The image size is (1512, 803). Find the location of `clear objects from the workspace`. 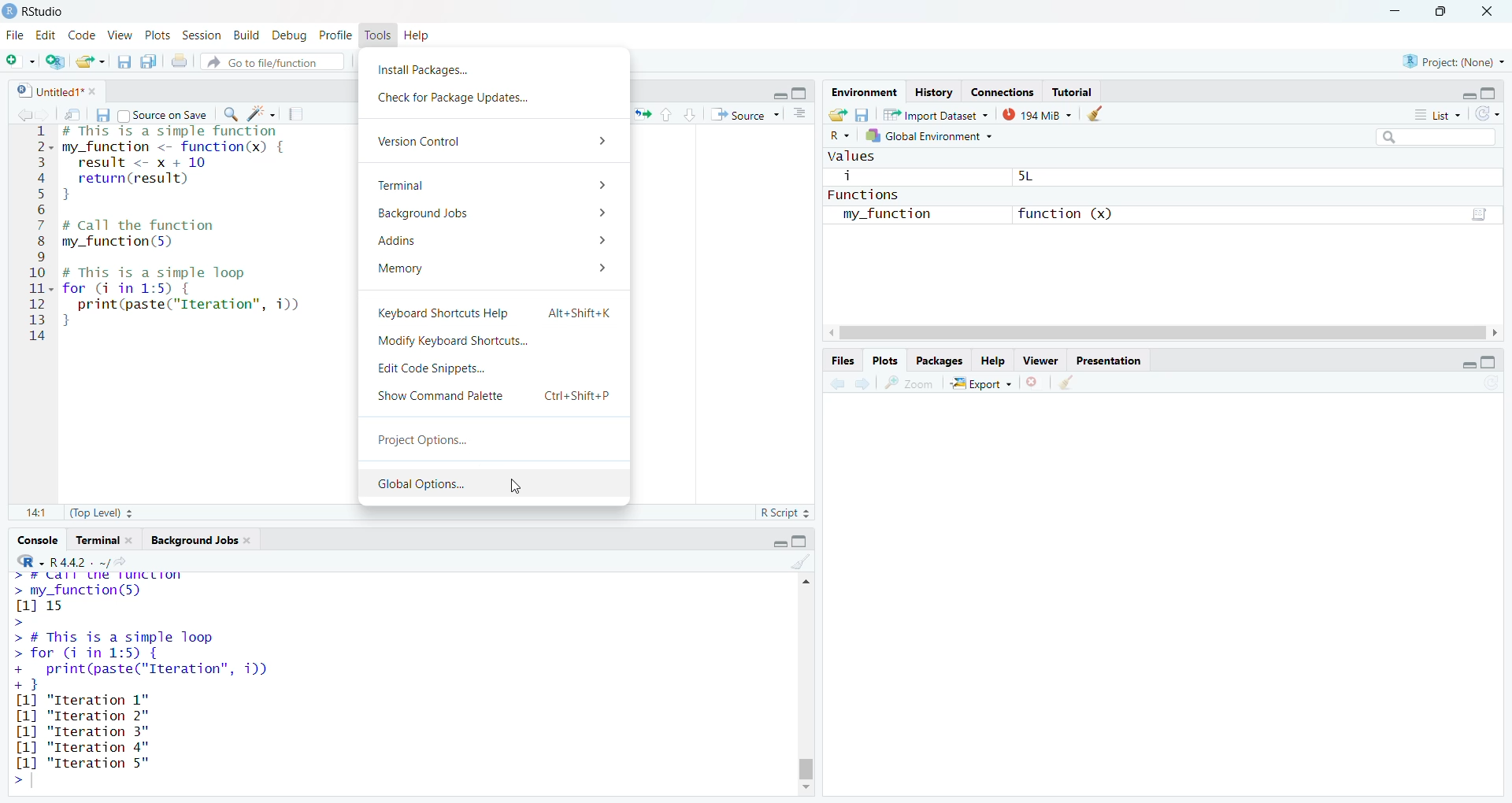

clear objects from the workspace is located at coordinates (1098, 115).